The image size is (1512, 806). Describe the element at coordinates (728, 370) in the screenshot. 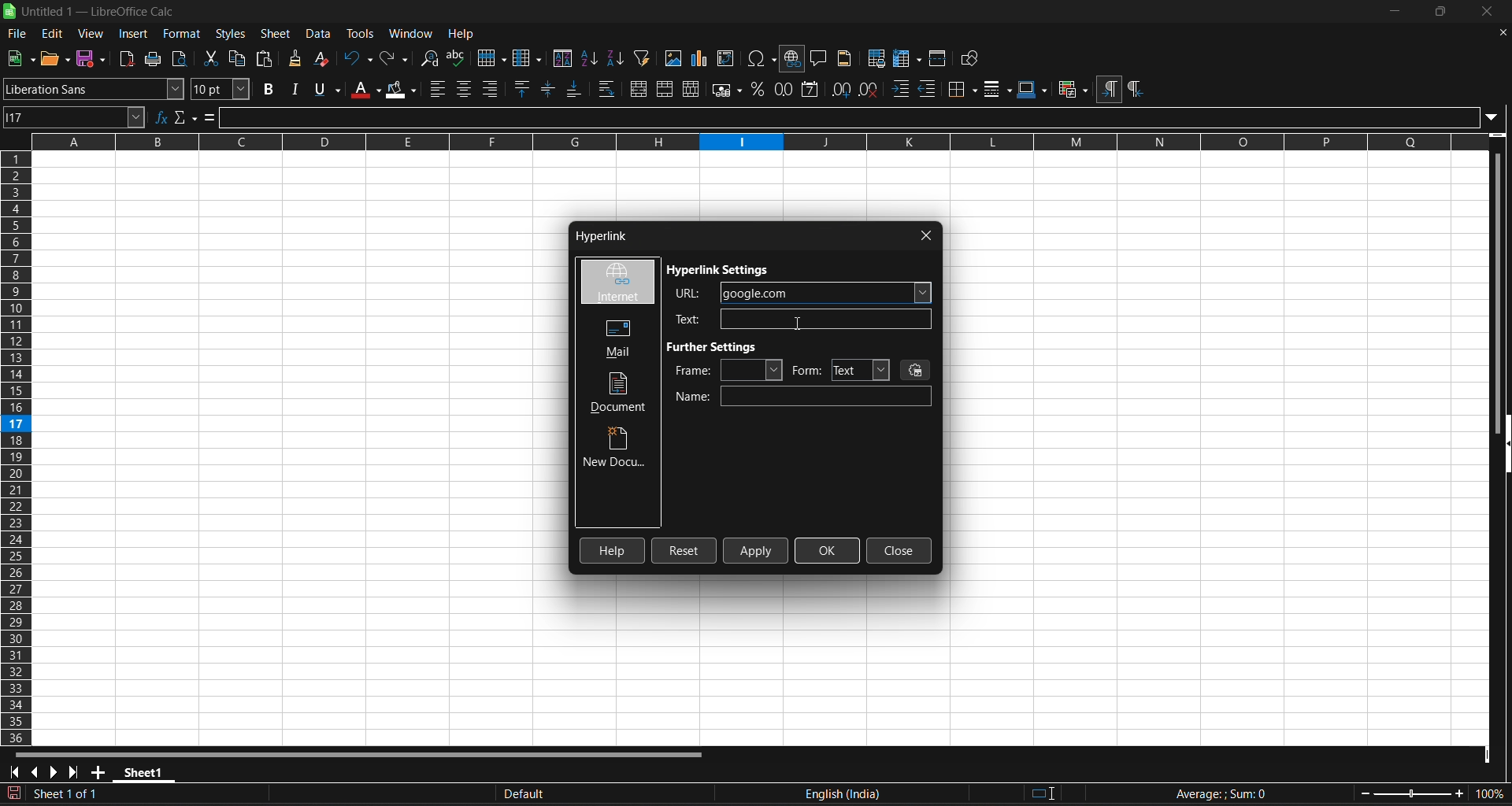

I see `frame` at that location.